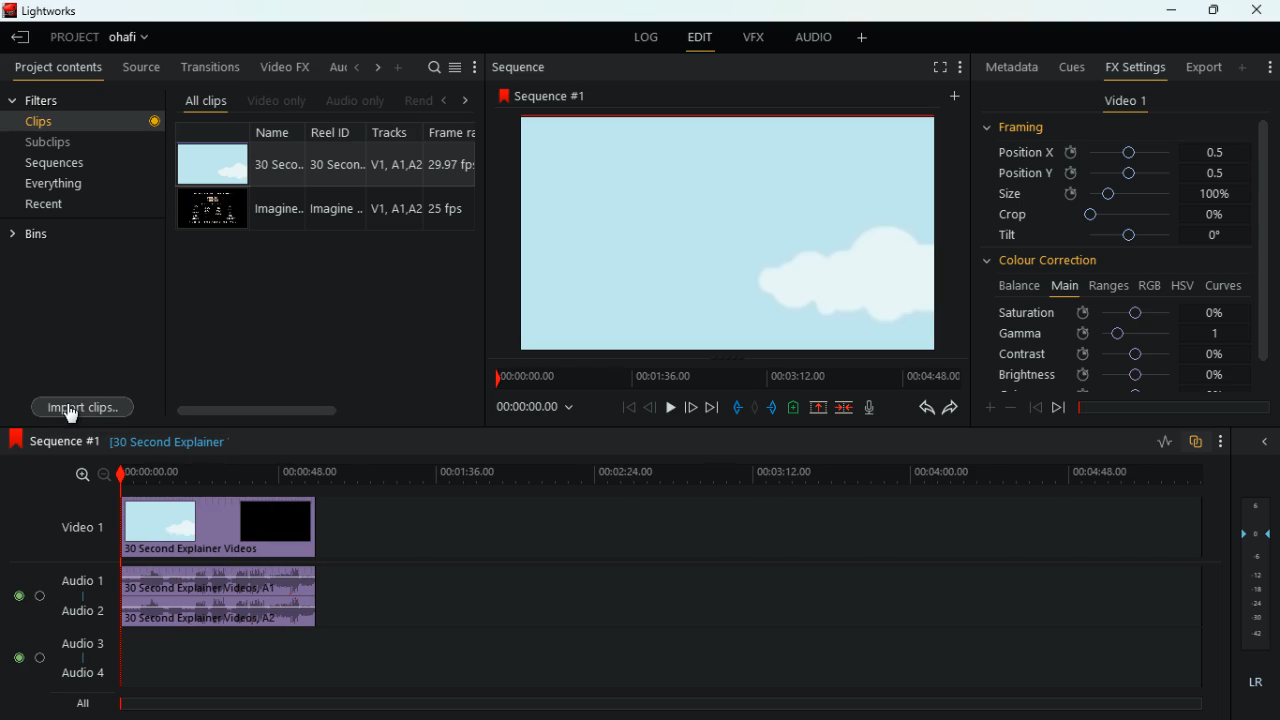 The height and width of the screenshot is (720, 1280). I want to click on more, so click(960, 67).